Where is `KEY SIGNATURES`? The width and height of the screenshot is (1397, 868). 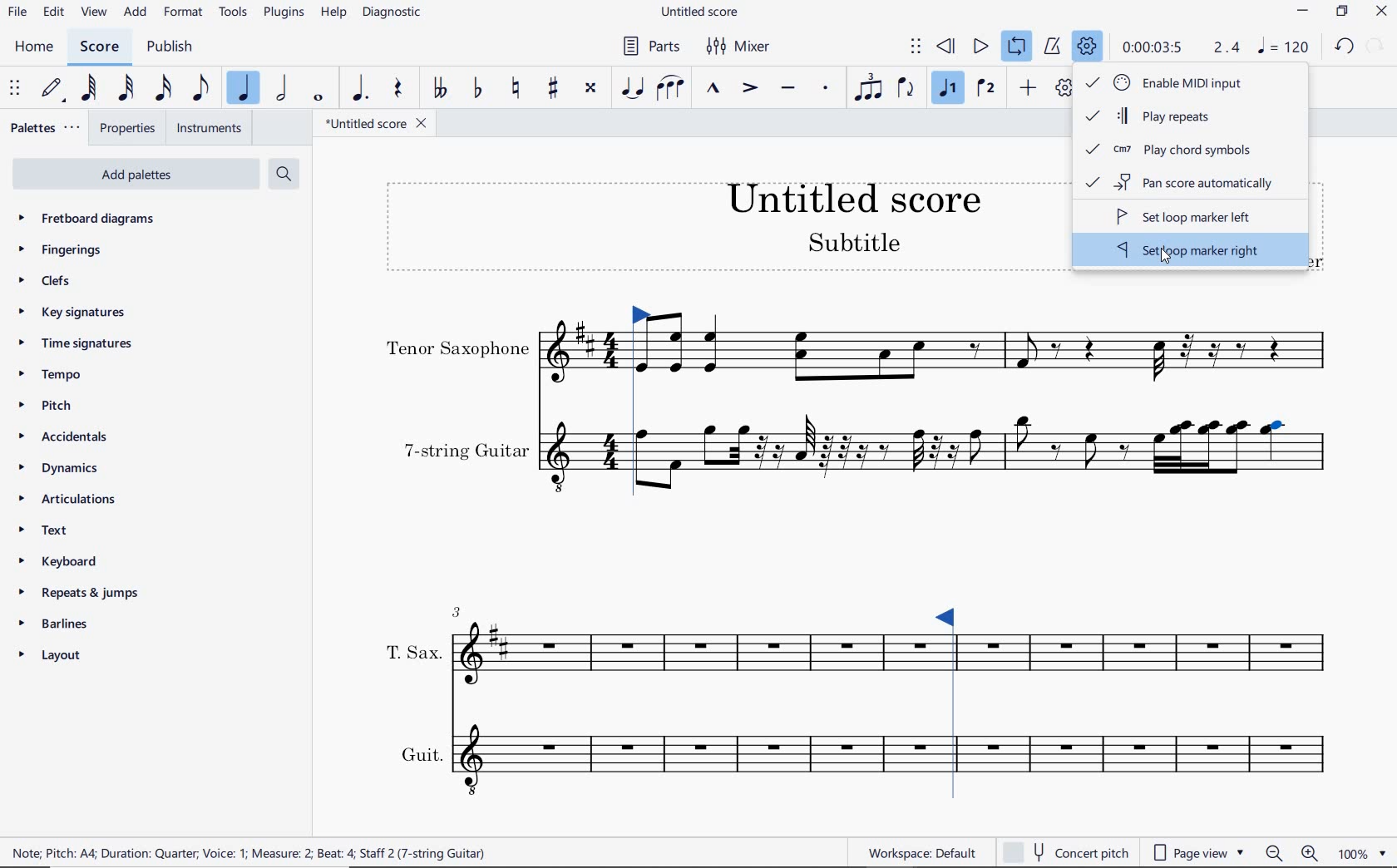
KEY SIGNATURES is located at coordinates (72, 312).